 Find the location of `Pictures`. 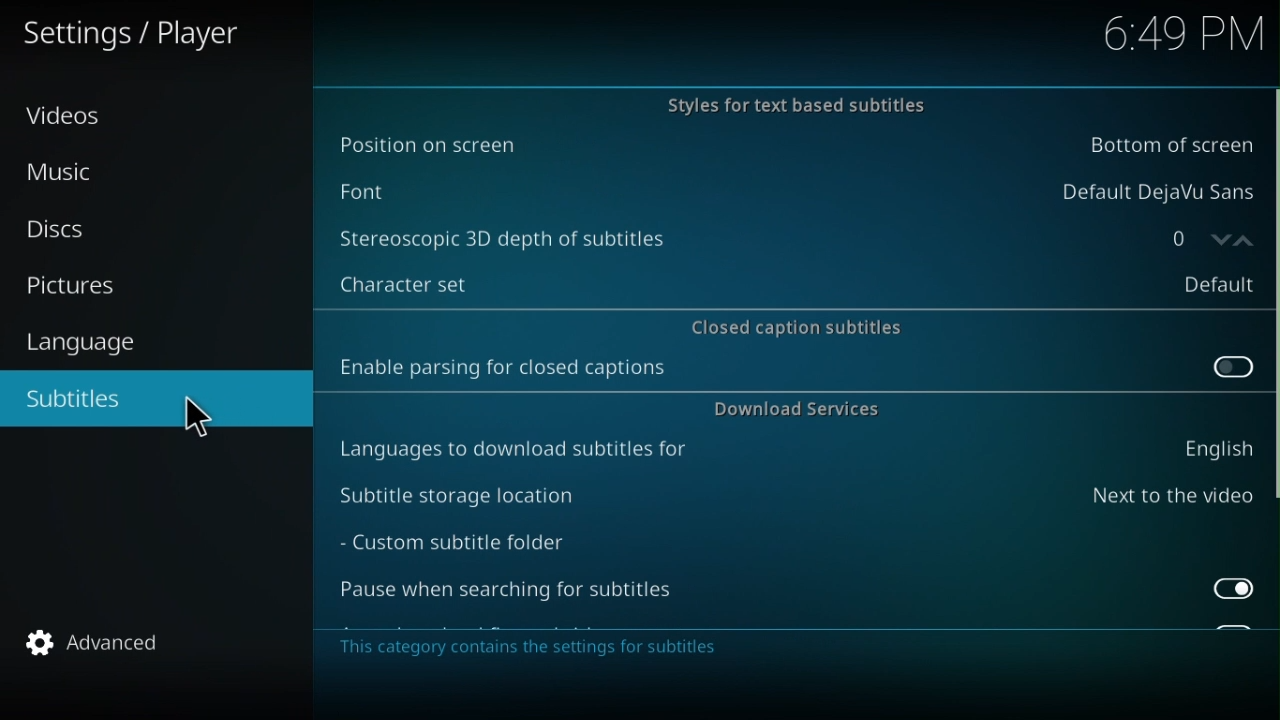

Pictures is located at coordinates (87, 286).